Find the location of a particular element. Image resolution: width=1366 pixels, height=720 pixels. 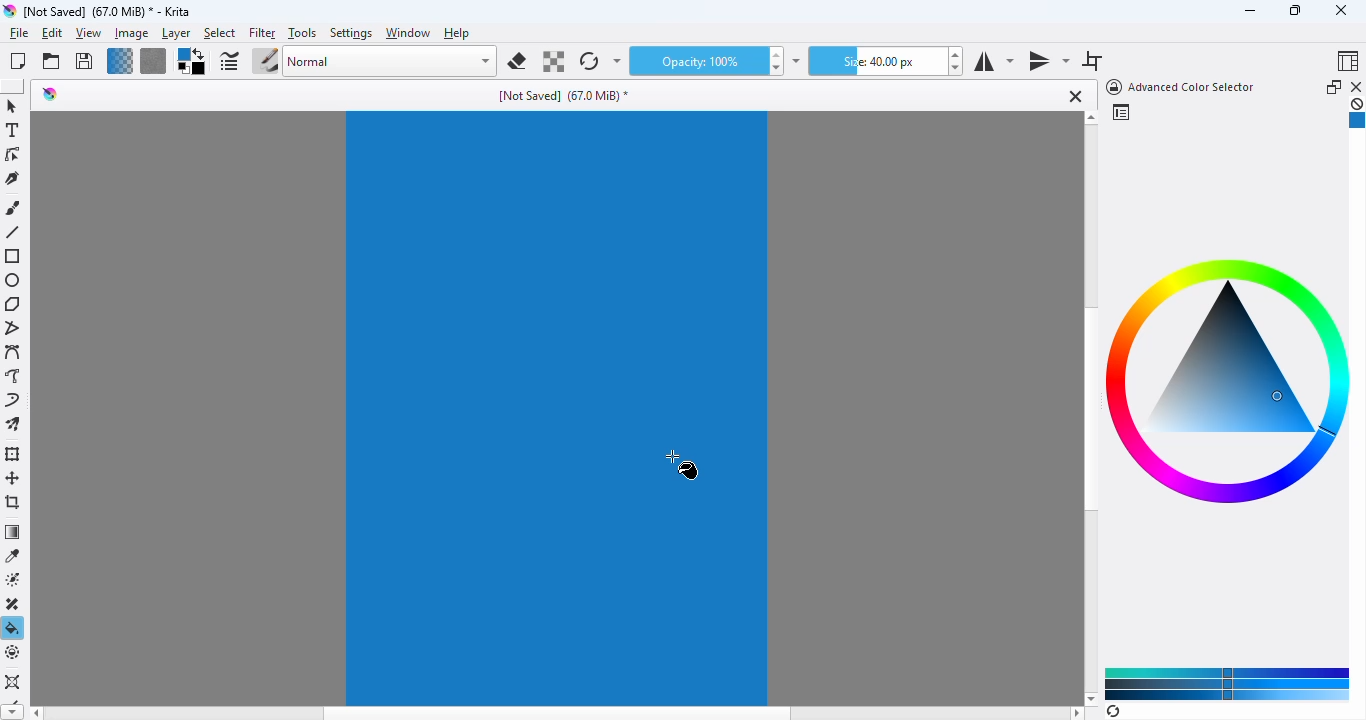

draw a gradient is located at coordinates (13, 531).